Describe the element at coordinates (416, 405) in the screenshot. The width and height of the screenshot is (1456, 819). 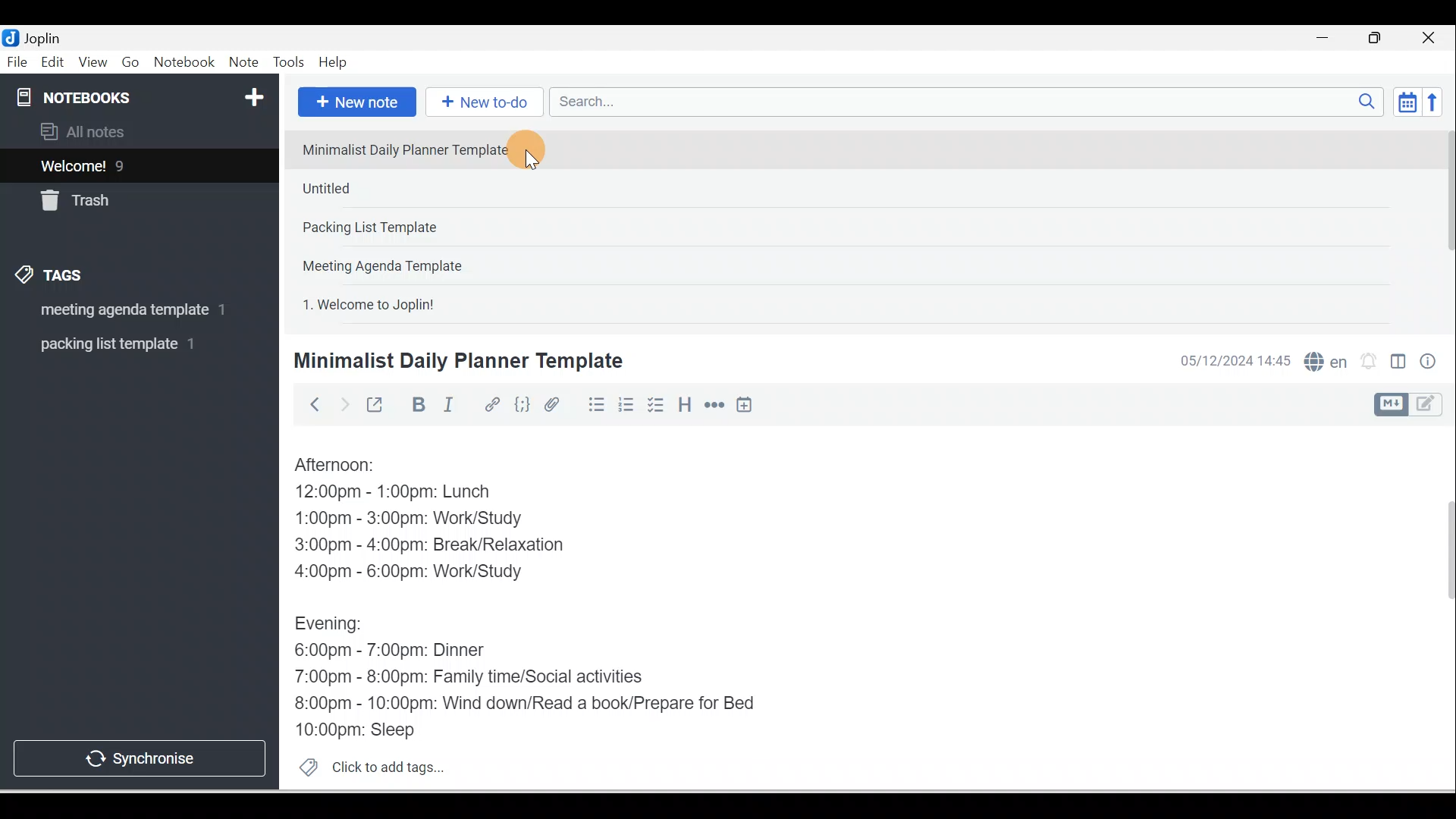
I see `Bold` at that location.